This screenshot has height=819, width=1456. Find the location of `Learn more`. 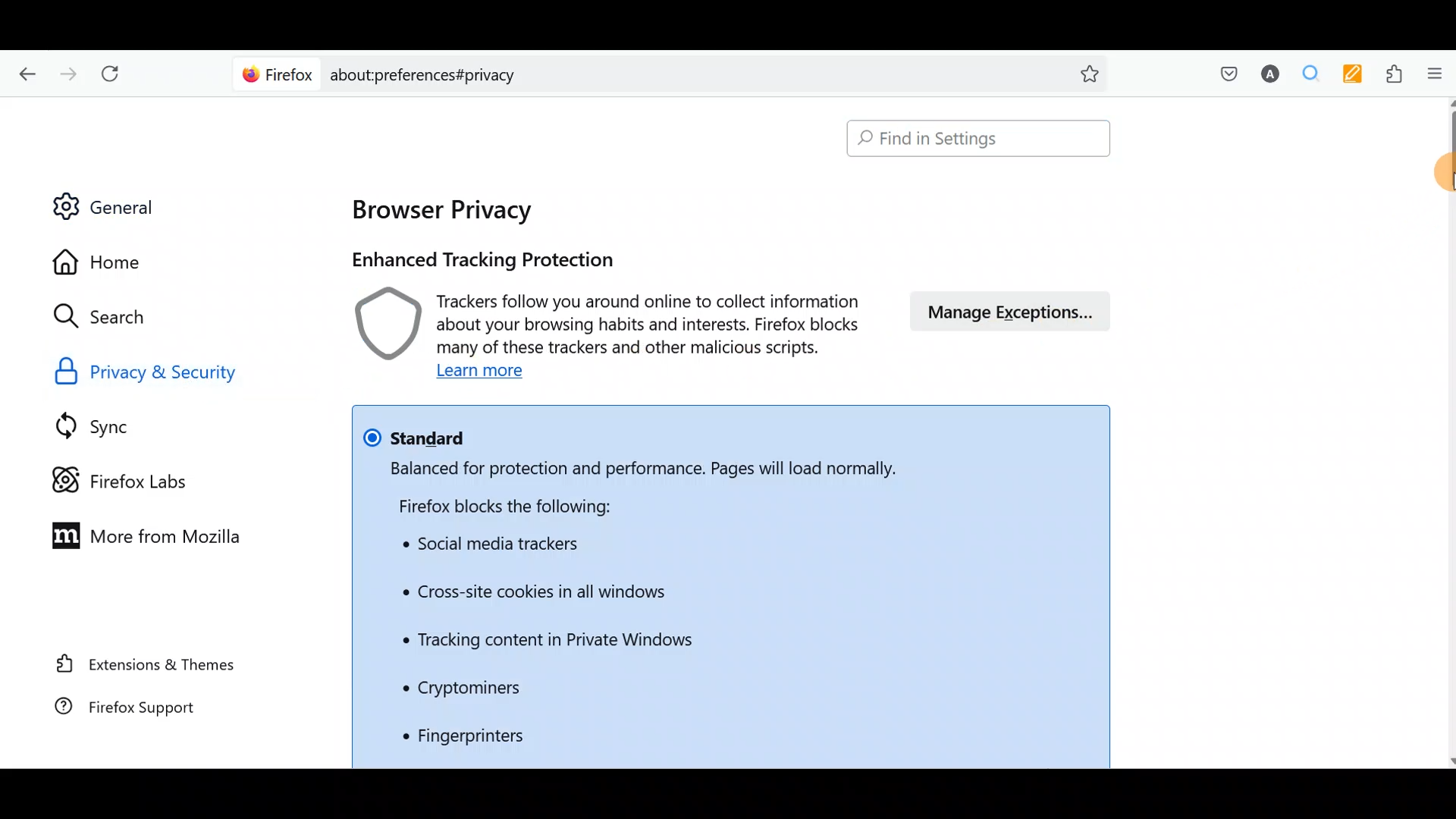

Learn more is located at coordinates (609, 337).